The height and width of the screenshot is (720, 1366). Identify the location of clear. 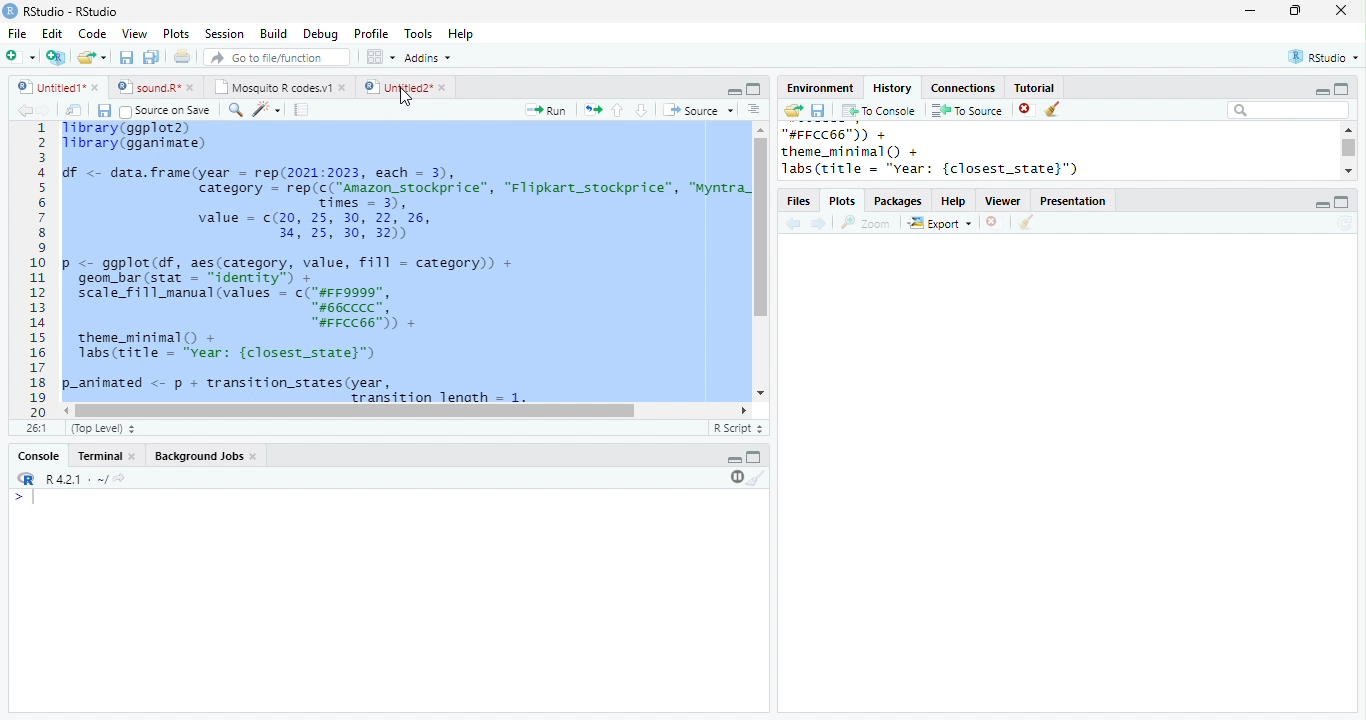
(756, 478).